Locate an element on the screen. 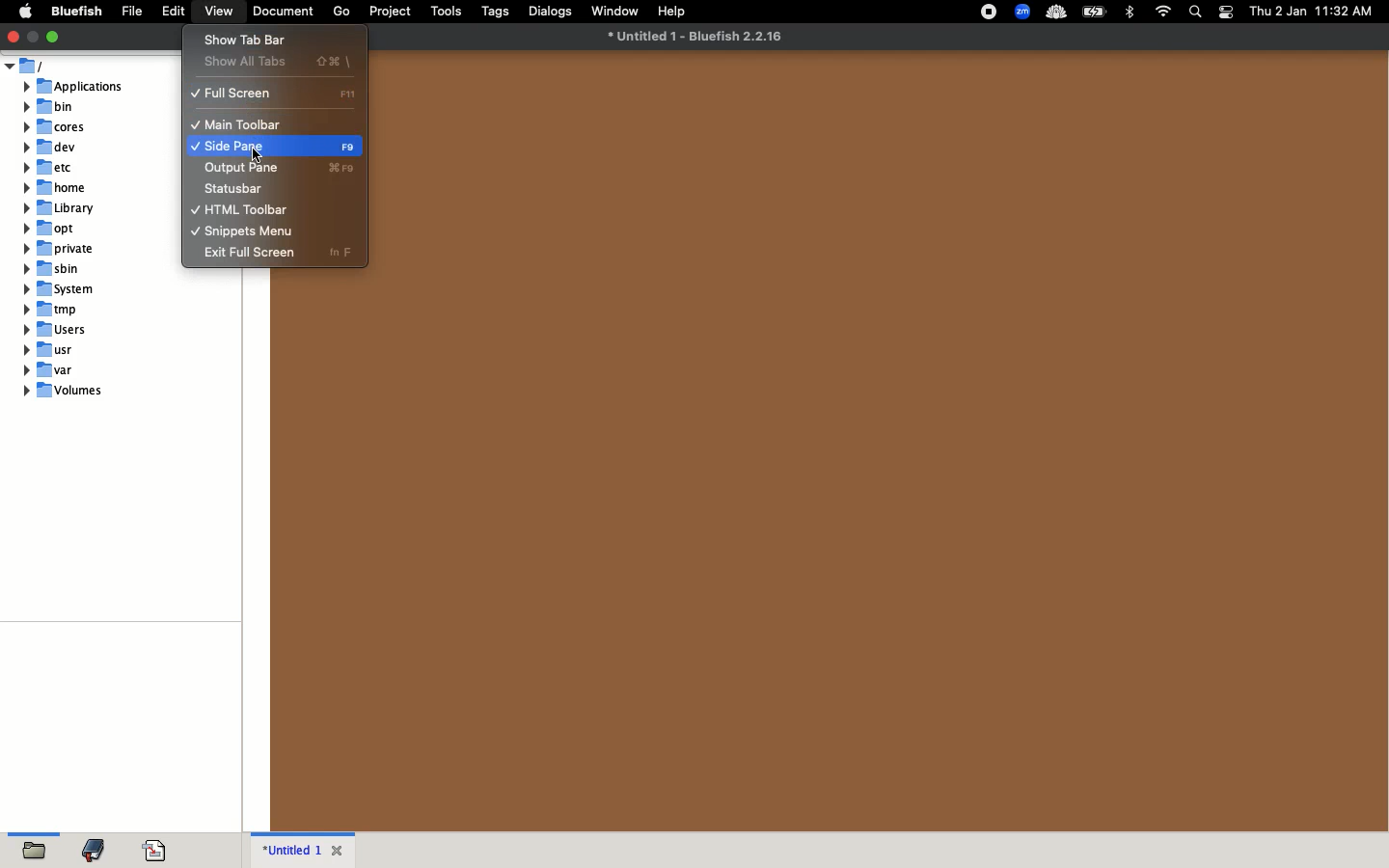 Image resolution: width=1389 pixels, height=868 pixels. sbin is located at coordinates (56, 269).